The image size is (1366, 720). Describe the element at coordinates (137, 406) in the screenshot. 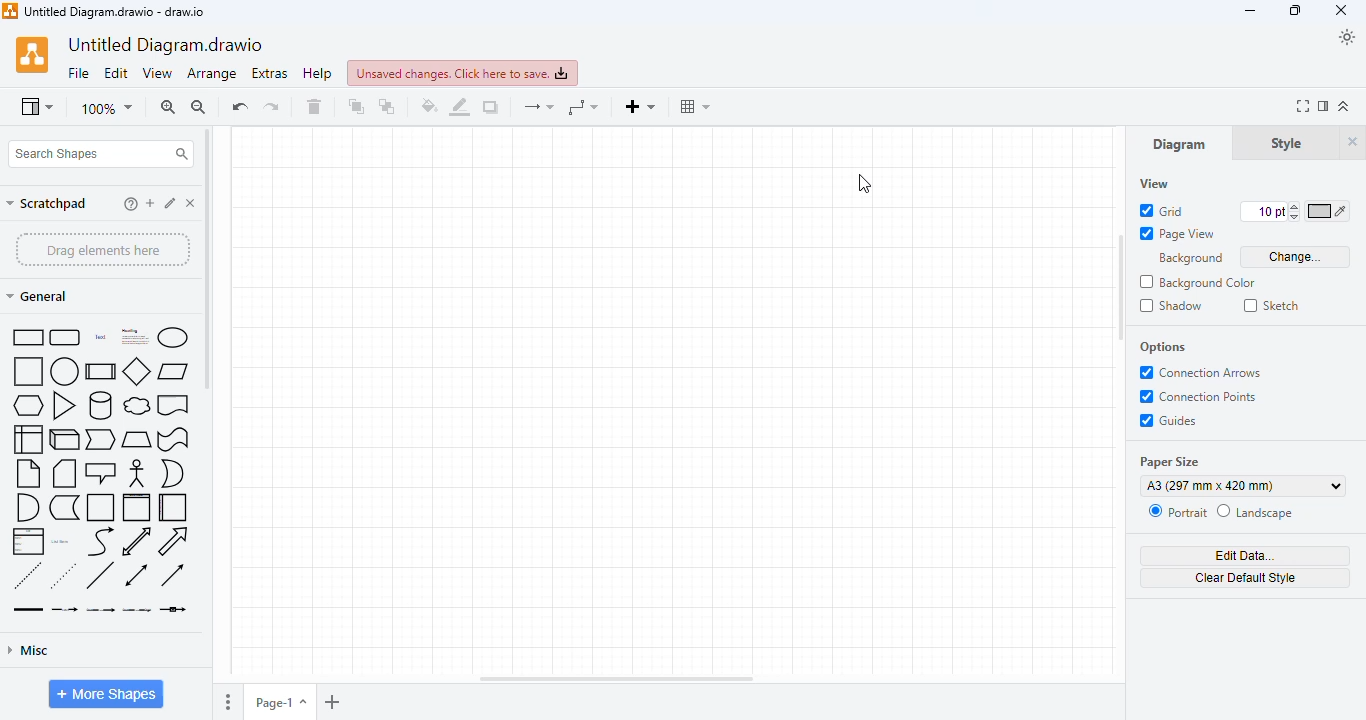

I see `cloud` at that location.